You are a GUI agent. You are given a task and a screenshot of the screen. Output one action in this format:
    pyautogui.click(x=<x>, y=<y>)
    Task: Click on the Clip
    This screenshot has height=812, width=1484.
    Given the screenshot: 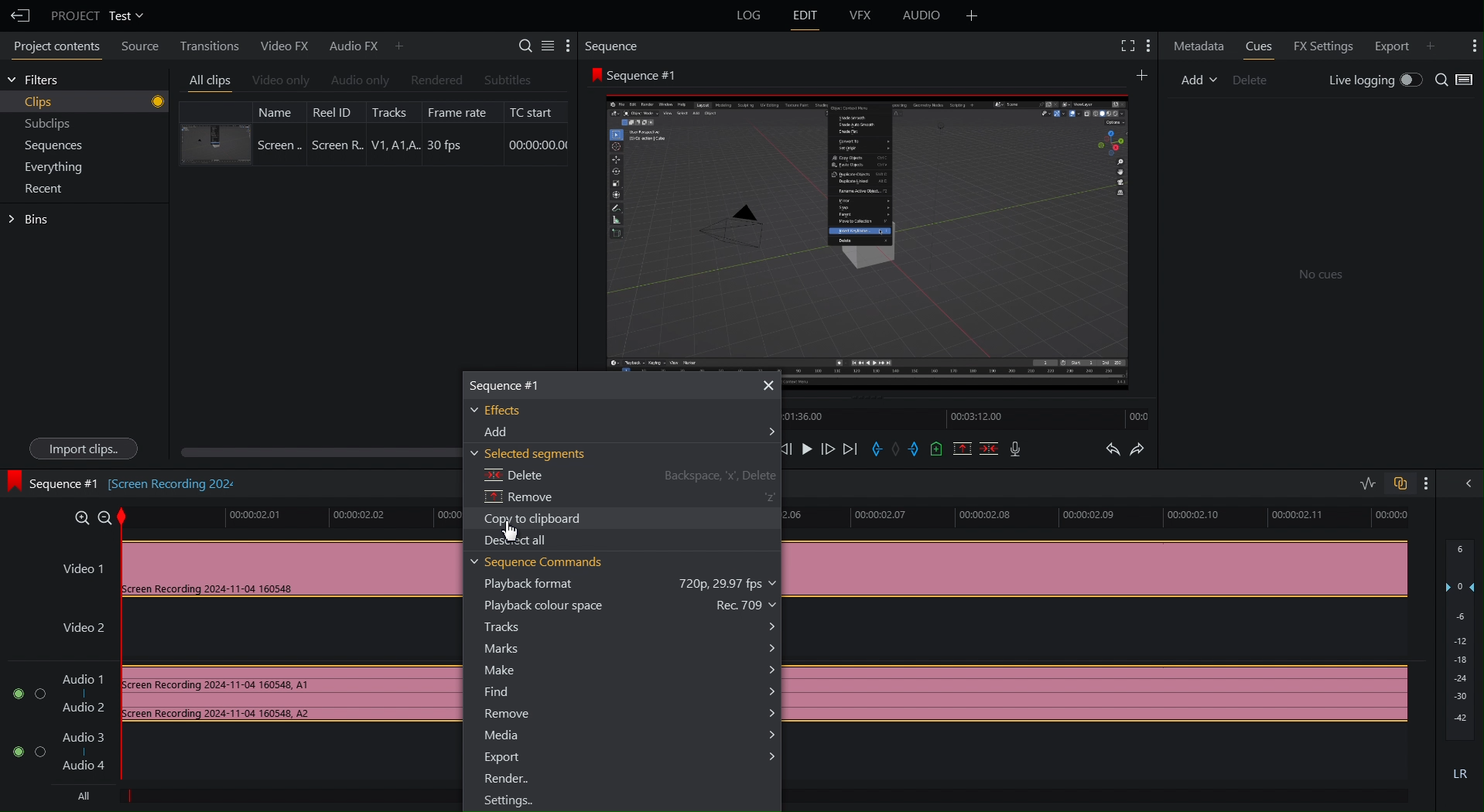 What is the action you would take?
    pyautogui.click(x=373, y=132)
    